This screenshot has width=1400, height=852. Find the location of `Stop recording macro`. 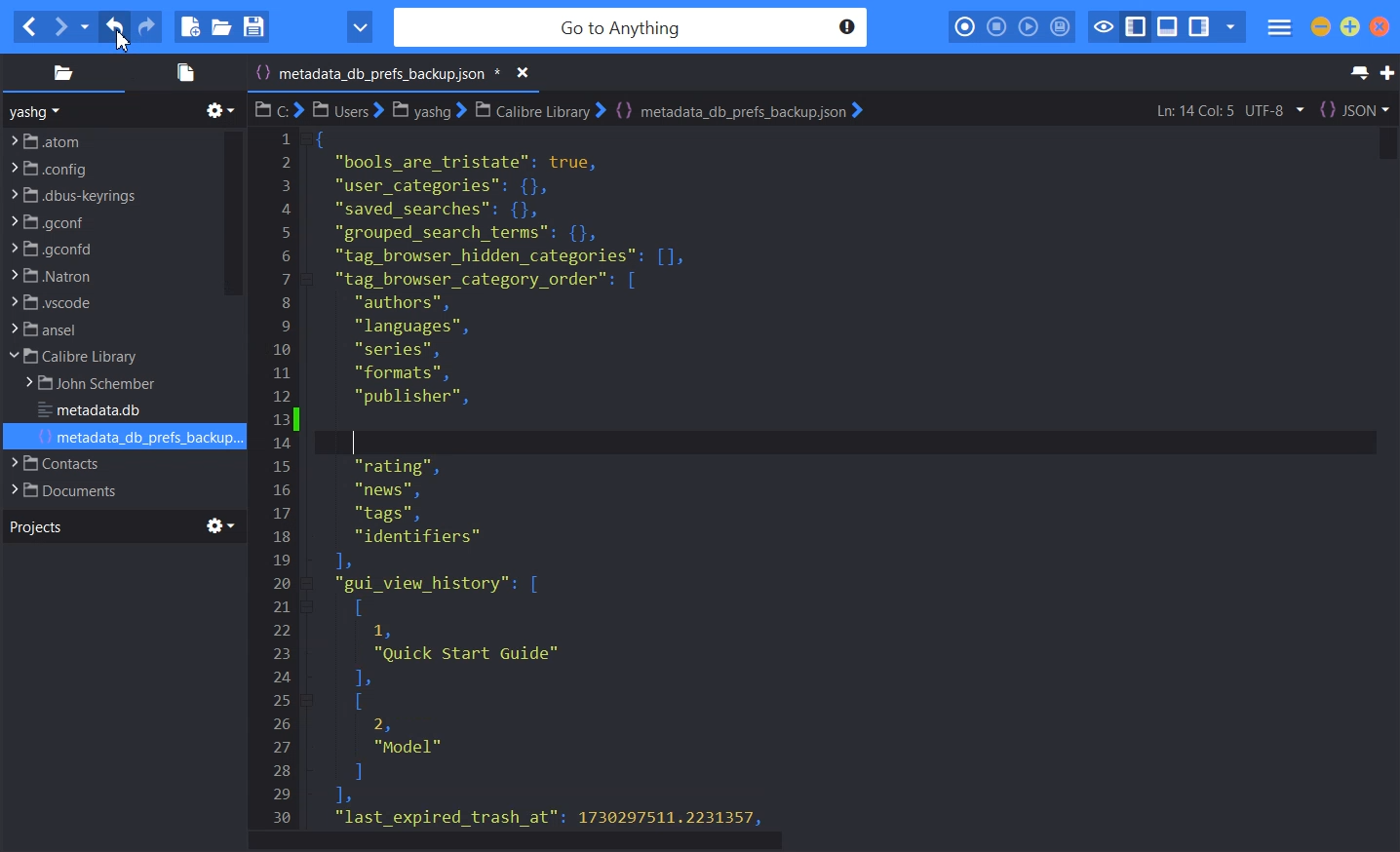

Stop recording macro is located at coordinates (996, 27).